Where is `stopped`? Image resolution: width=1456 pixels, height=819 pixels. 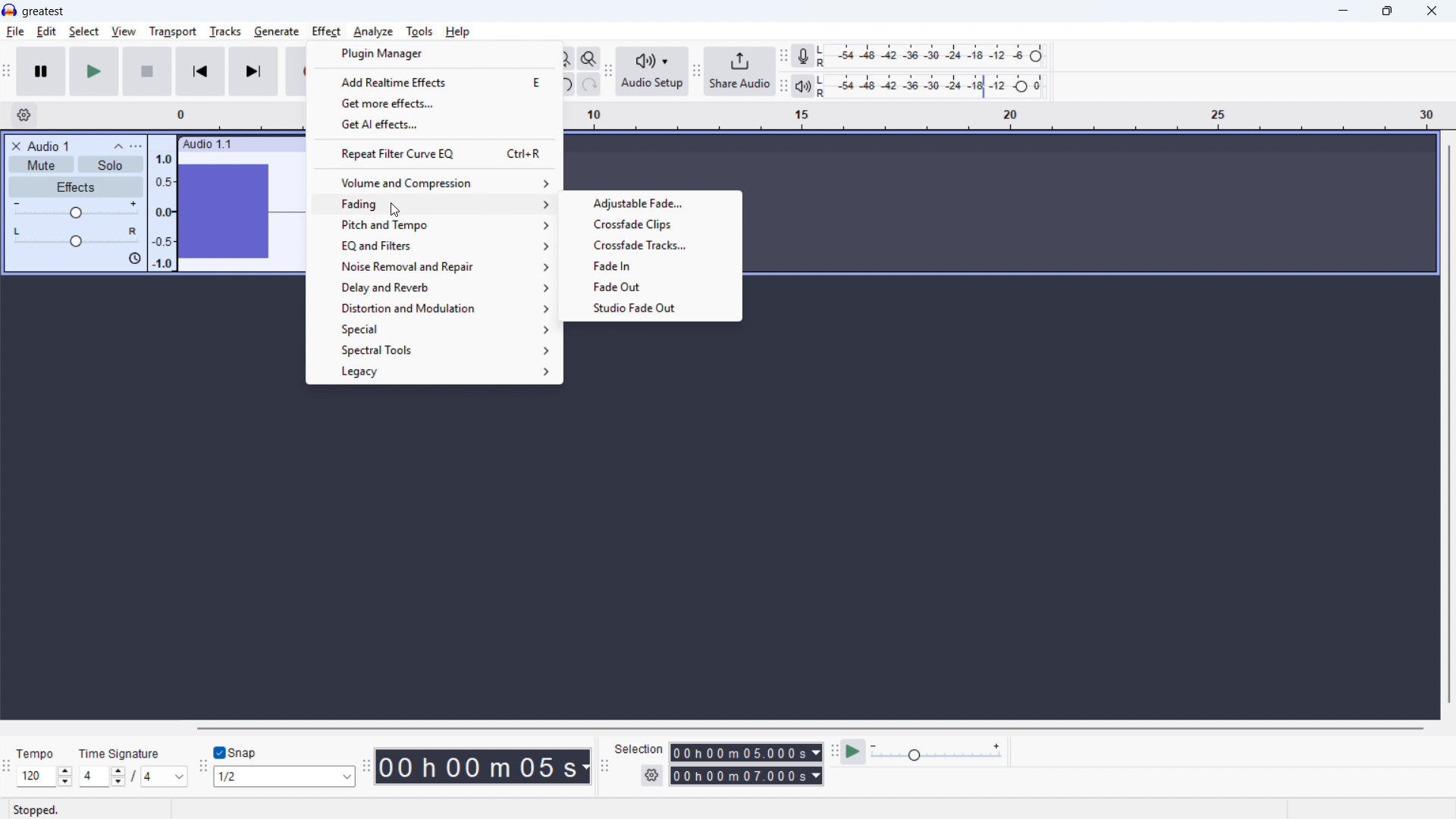 stopped is located at coordinates (36, 811).